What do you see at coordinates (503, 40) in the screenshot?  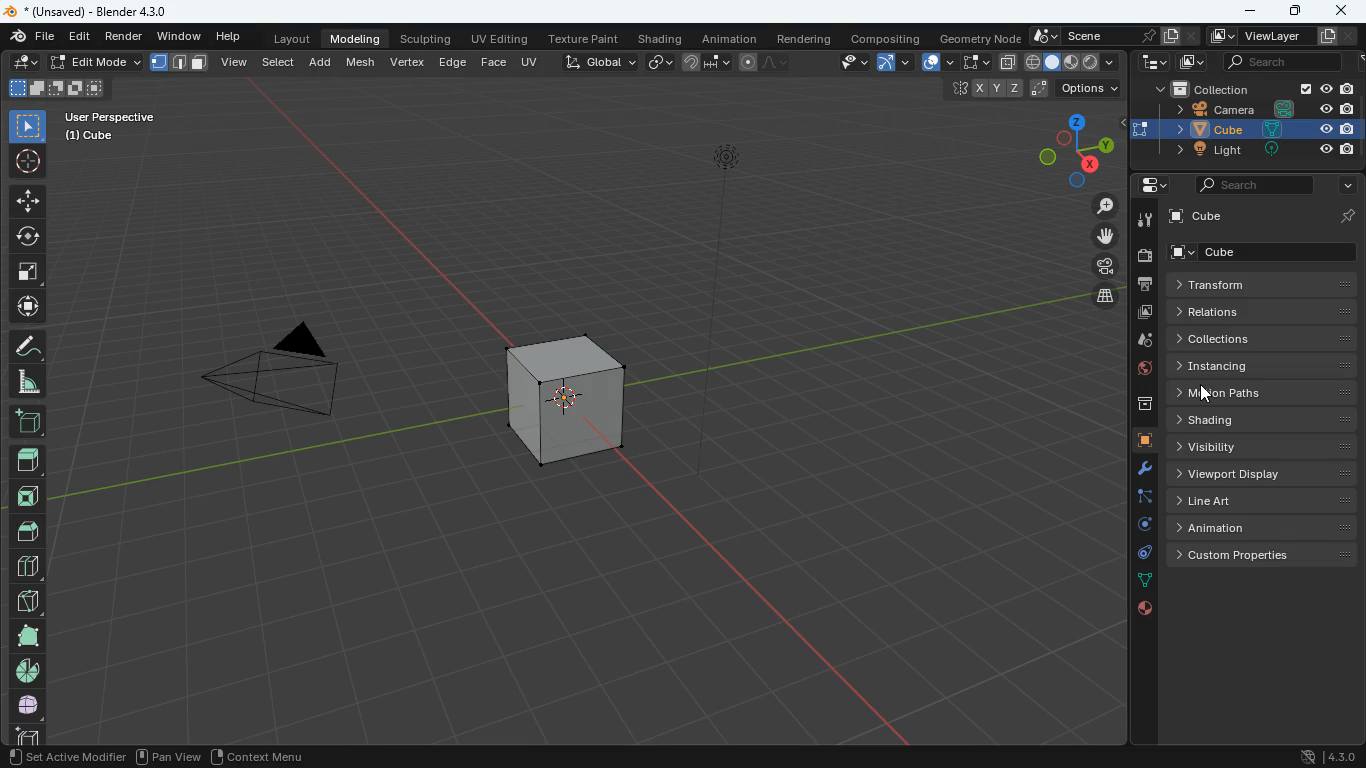 I see `uv editing` at bounding box center [503, 40].